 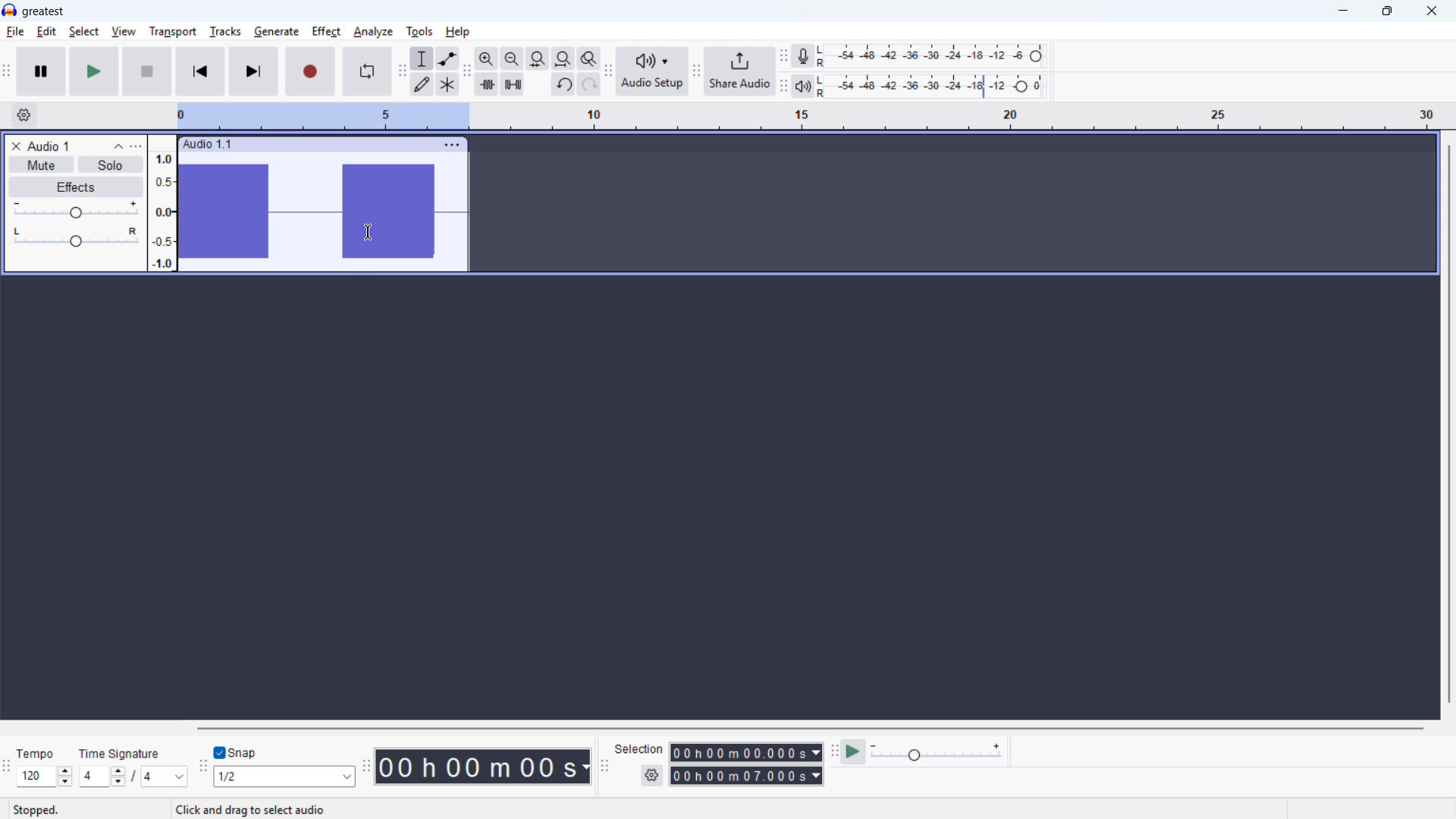 I want to click on time signature, so click(x=120, y=754).